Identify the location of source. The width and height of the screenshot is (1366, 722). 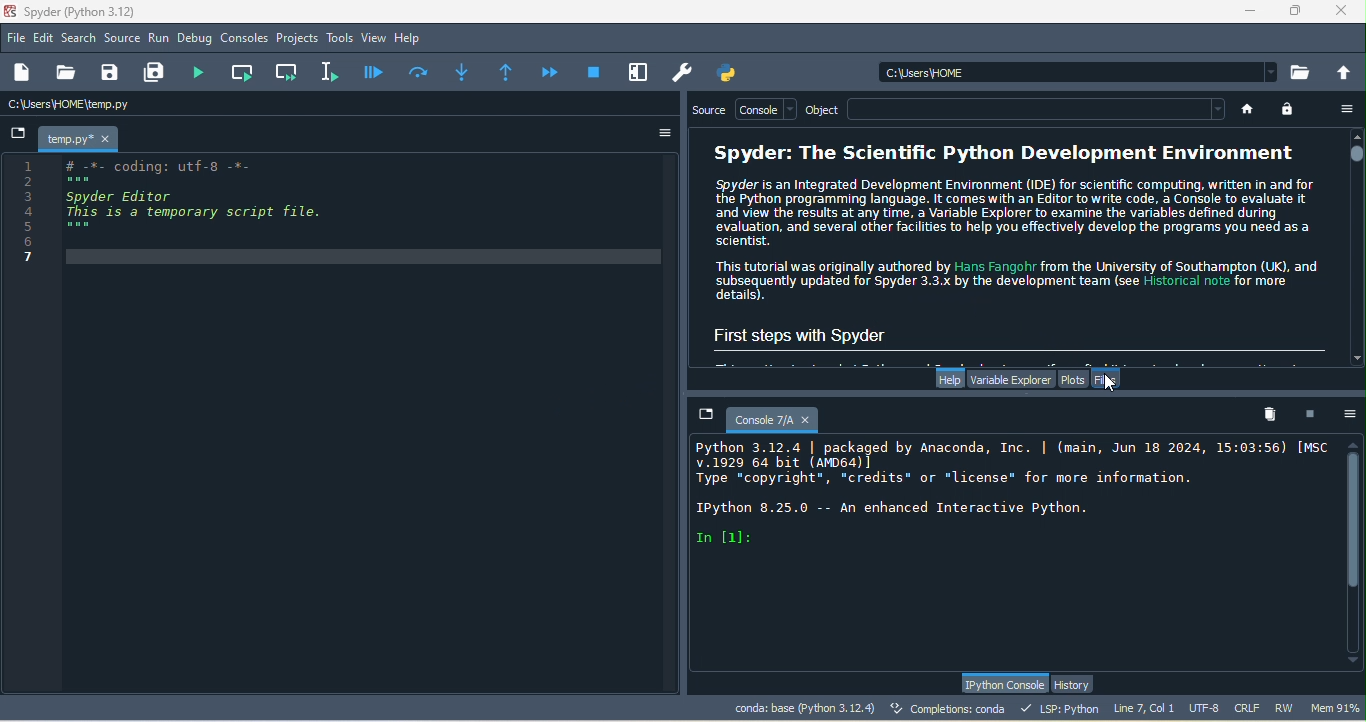
(123, 40).